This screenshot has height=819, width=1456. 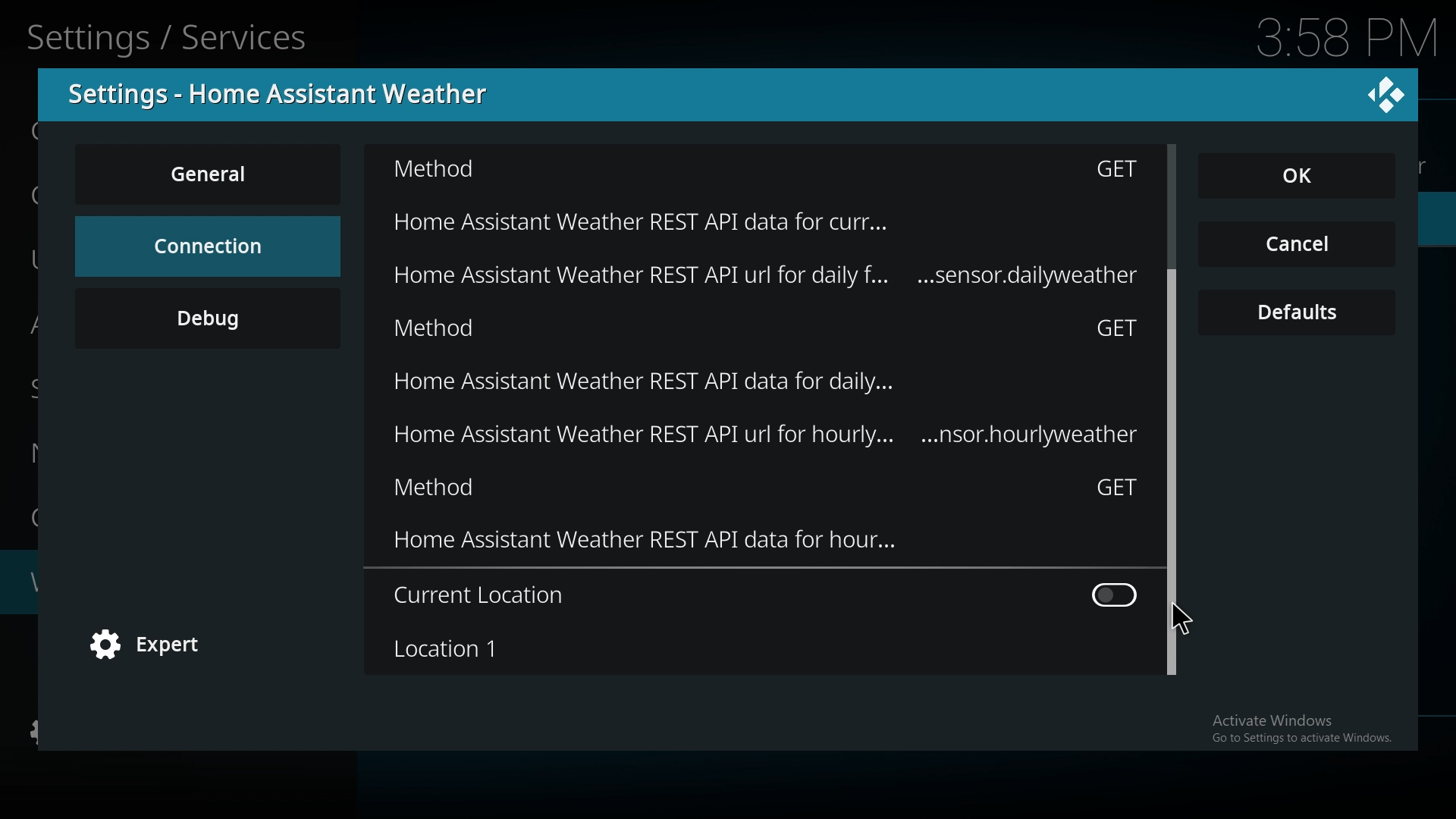 I want to click on method, so click(x=766, y=491).